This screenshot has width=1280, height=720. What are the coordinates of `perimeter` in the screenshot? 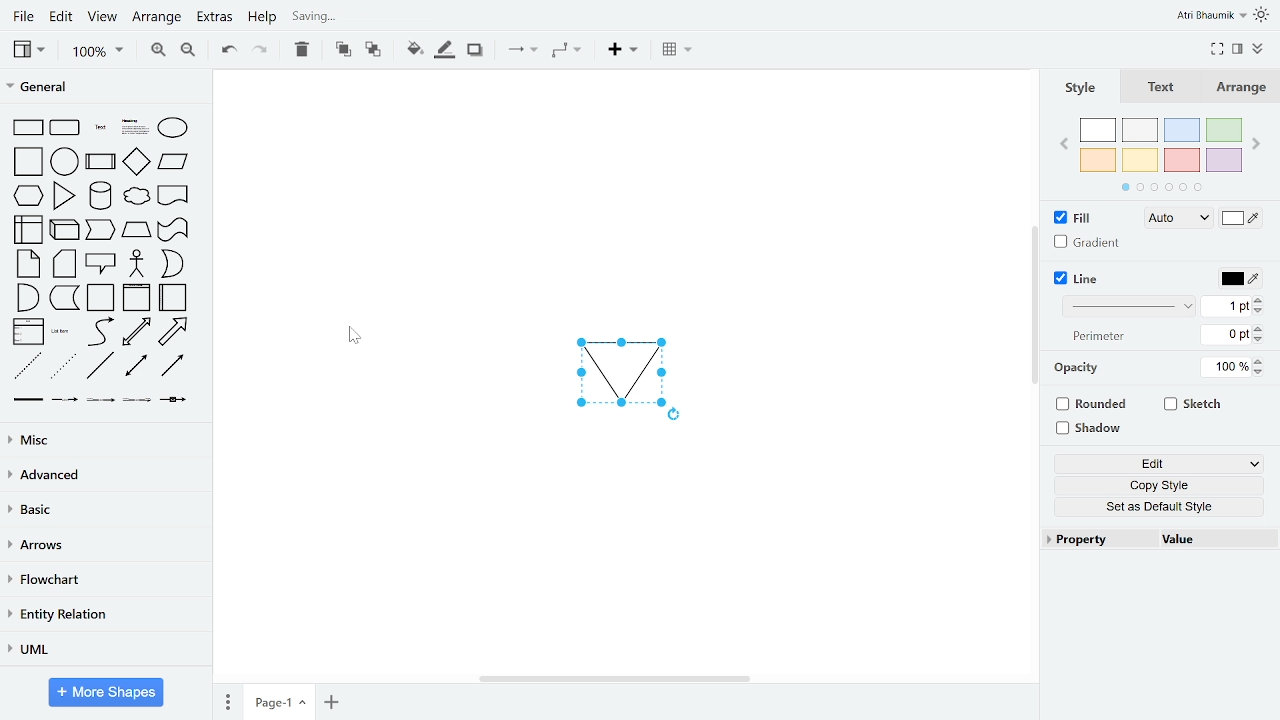 It's located at (1096, 337).